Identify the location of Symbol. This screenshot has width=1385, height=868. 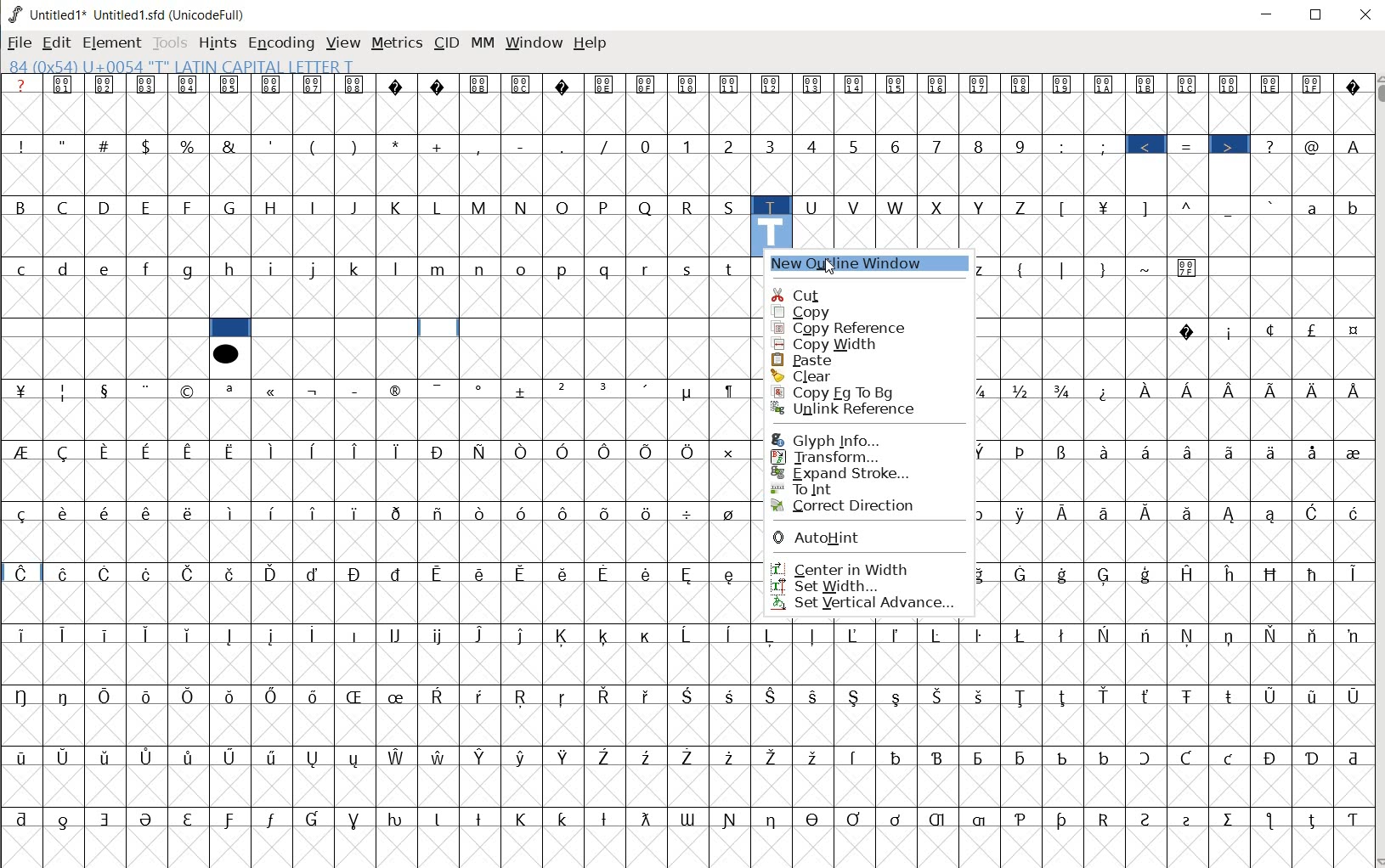
(440, 451).